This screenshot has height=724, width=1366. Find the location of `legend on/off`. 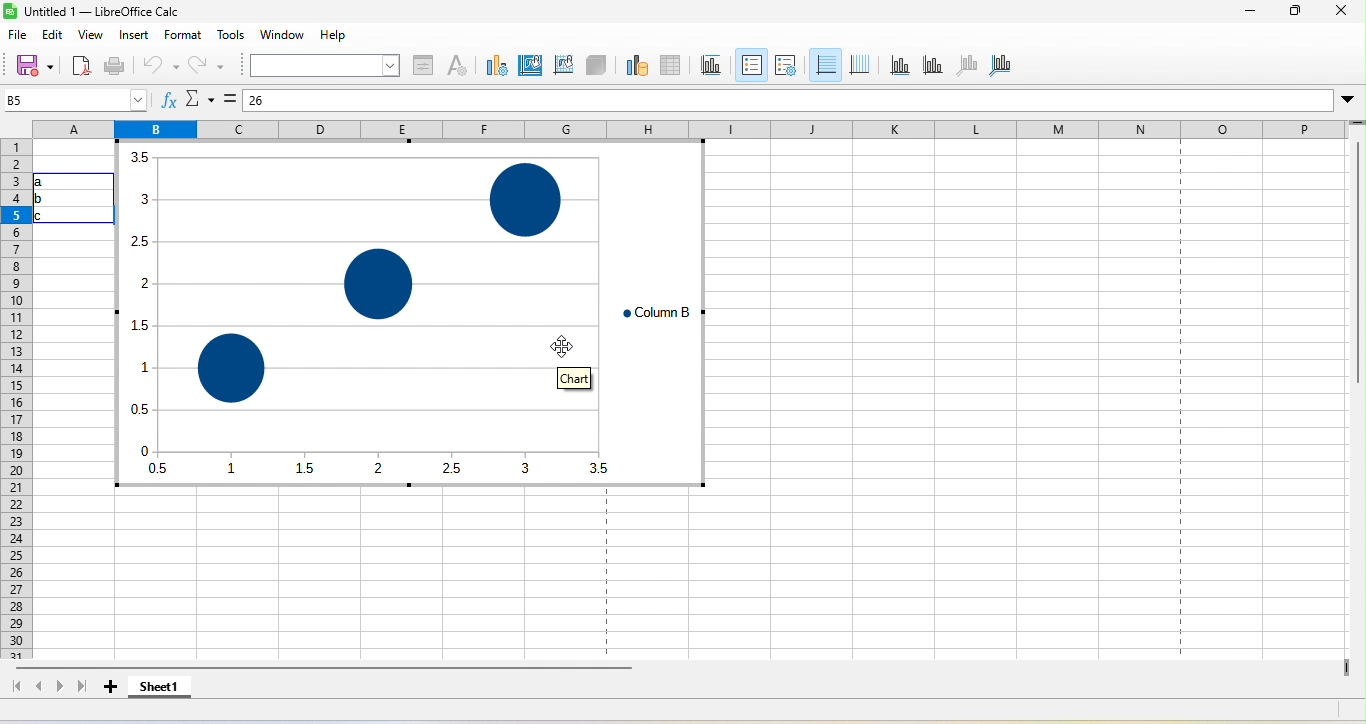

legend on/off is located at coordinates (751, 64).